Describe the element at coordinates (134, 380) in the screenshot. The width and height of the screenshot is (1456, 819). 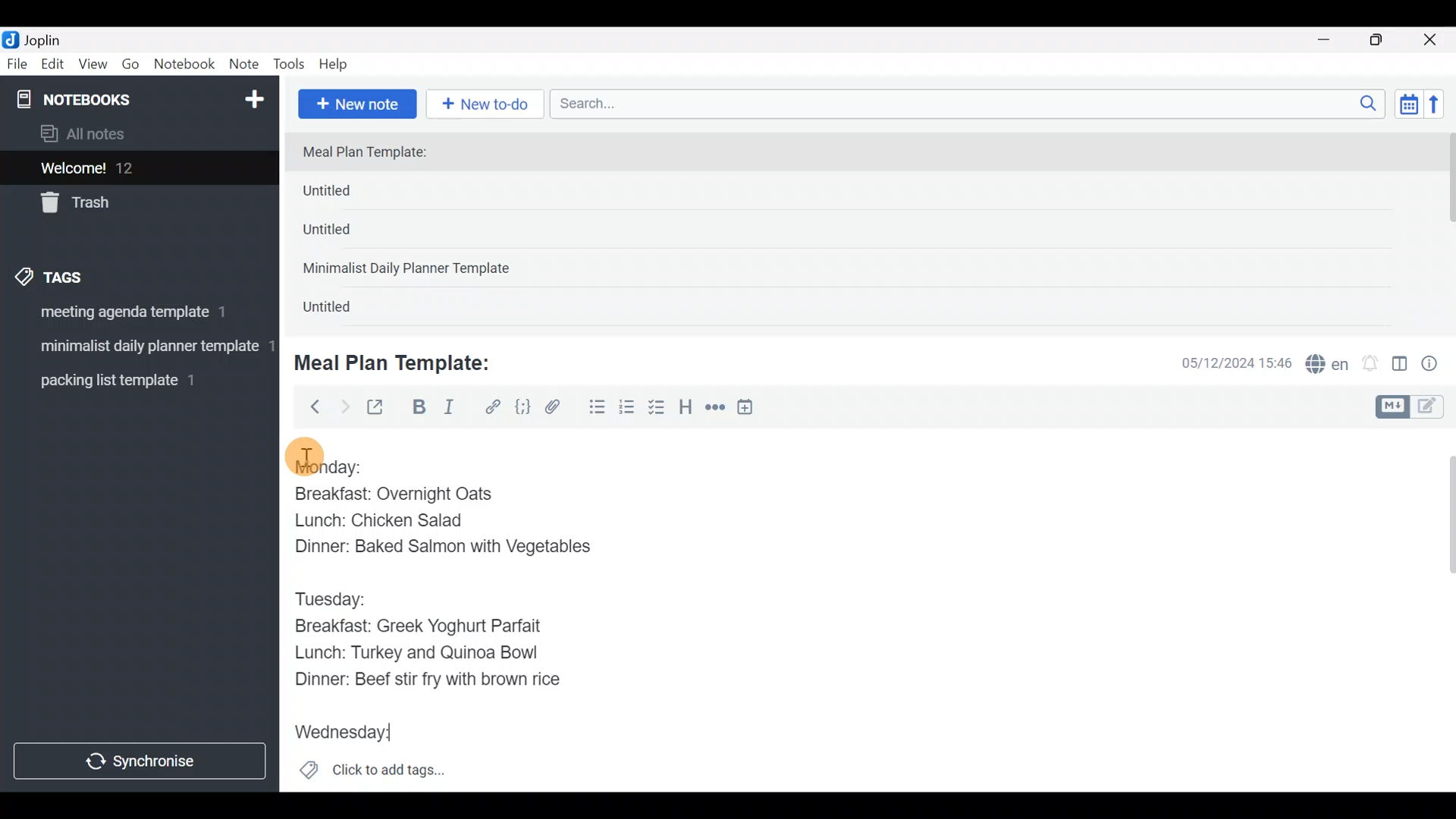
I see `Tag 3` at that location.